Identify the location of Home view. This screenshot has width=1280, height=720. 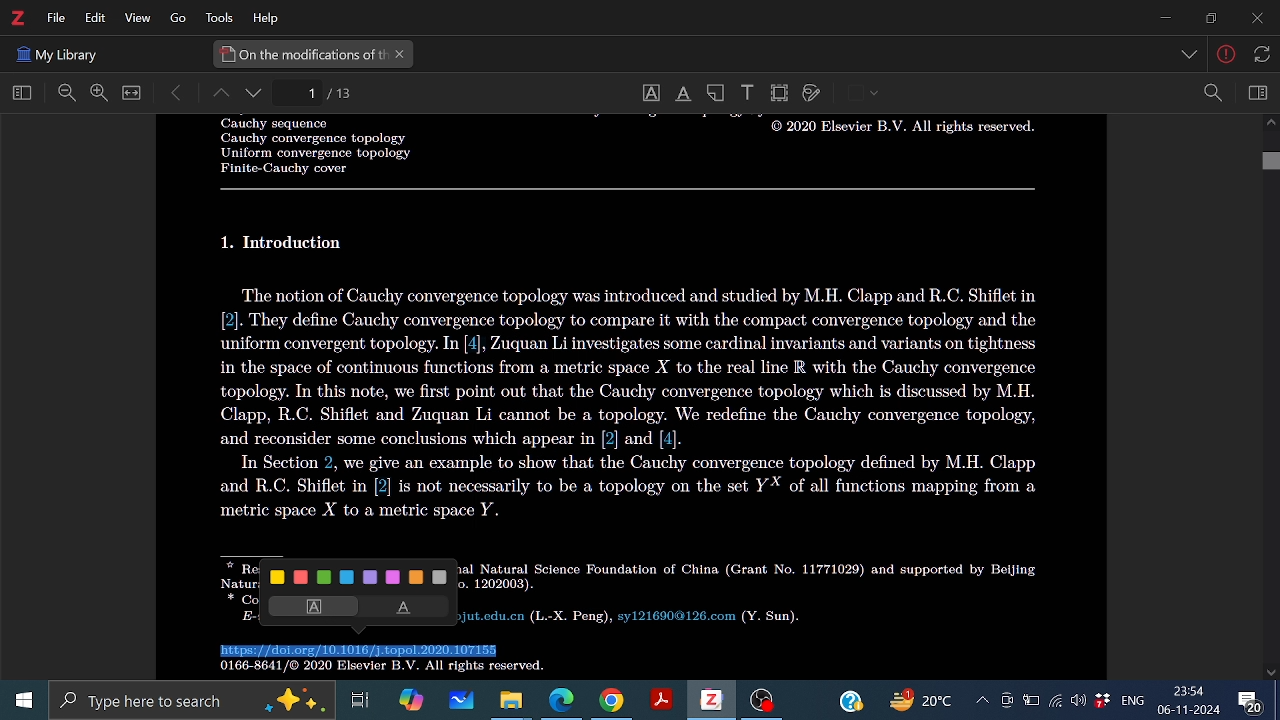
(18, 94).